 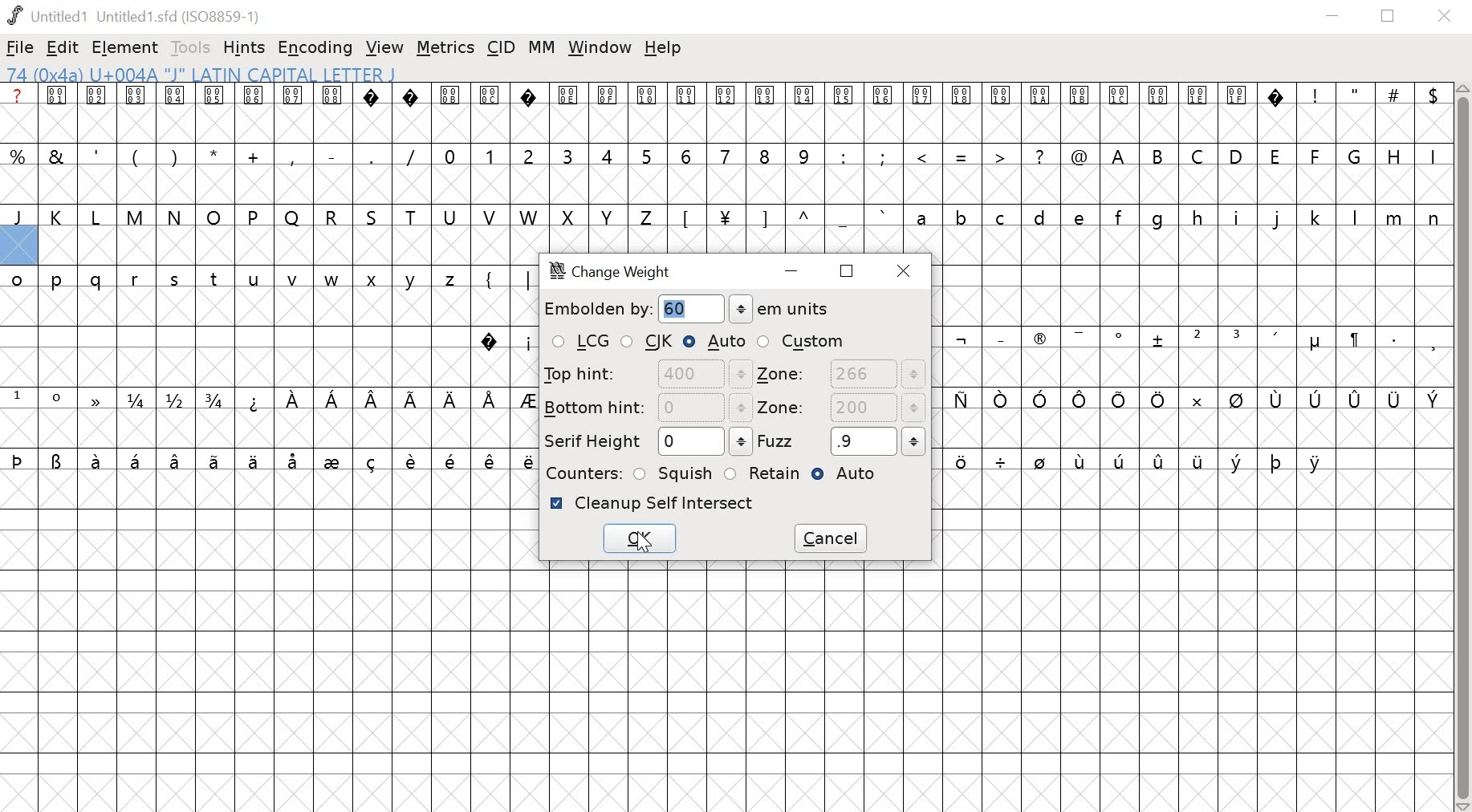 What do you see at coordinates (780, 309) in the screenshot?
I see `em units` at bounding box center [780, 309].